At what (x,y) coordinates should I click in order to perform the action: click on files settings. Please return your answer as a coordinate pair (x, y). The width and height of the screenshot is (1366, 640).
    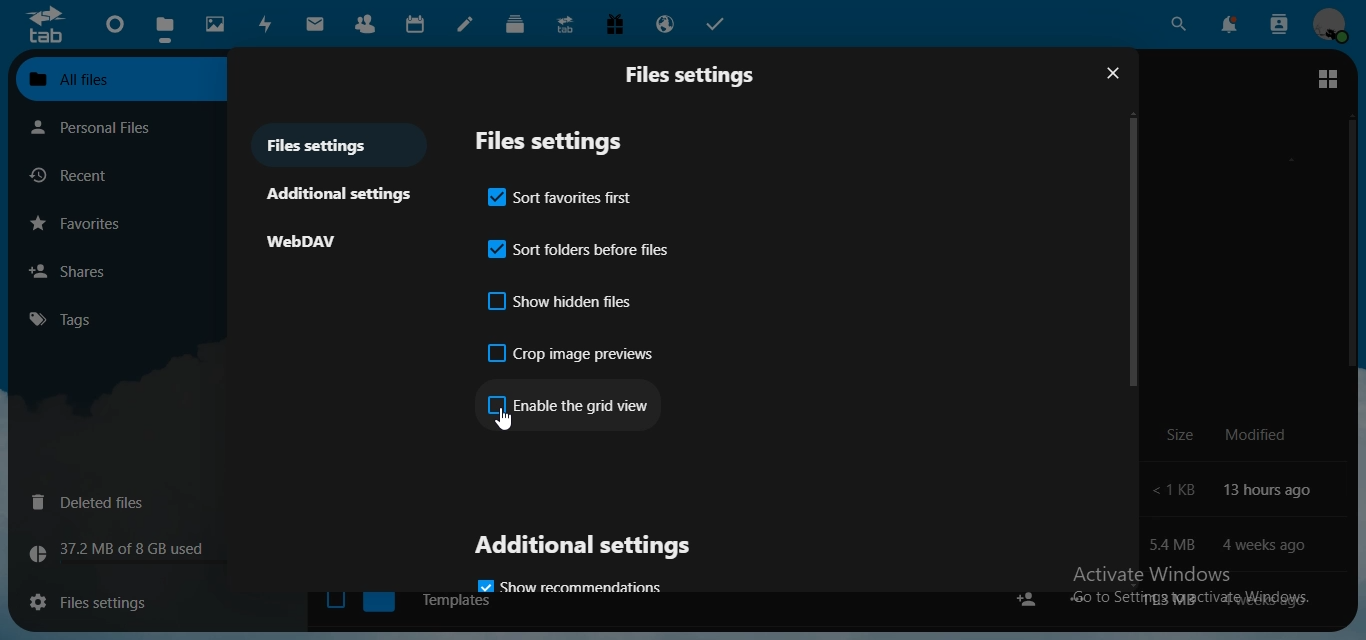
    Looking at the image, I should click on (324, 145).